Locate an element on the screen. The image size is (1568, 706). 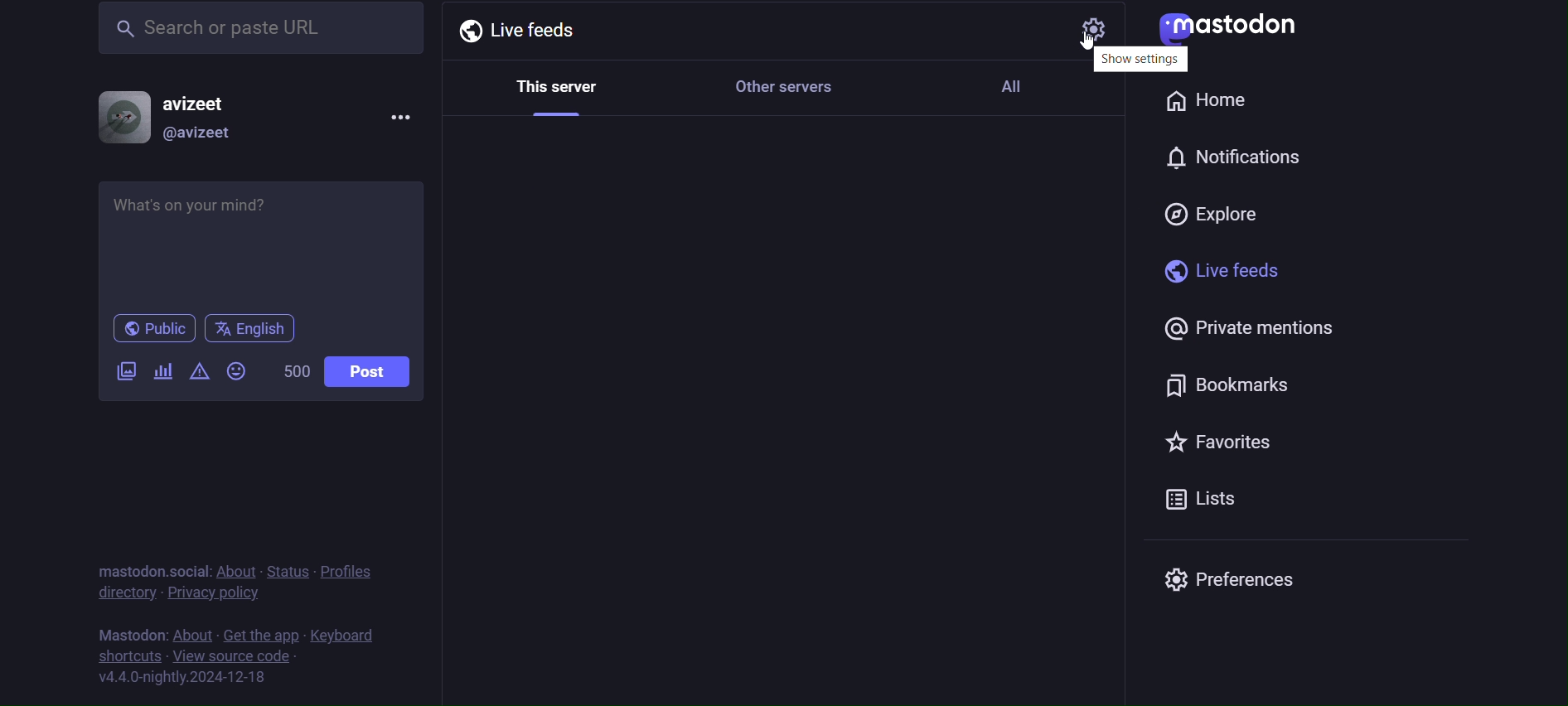
home is located at coordinates (1204, 103).